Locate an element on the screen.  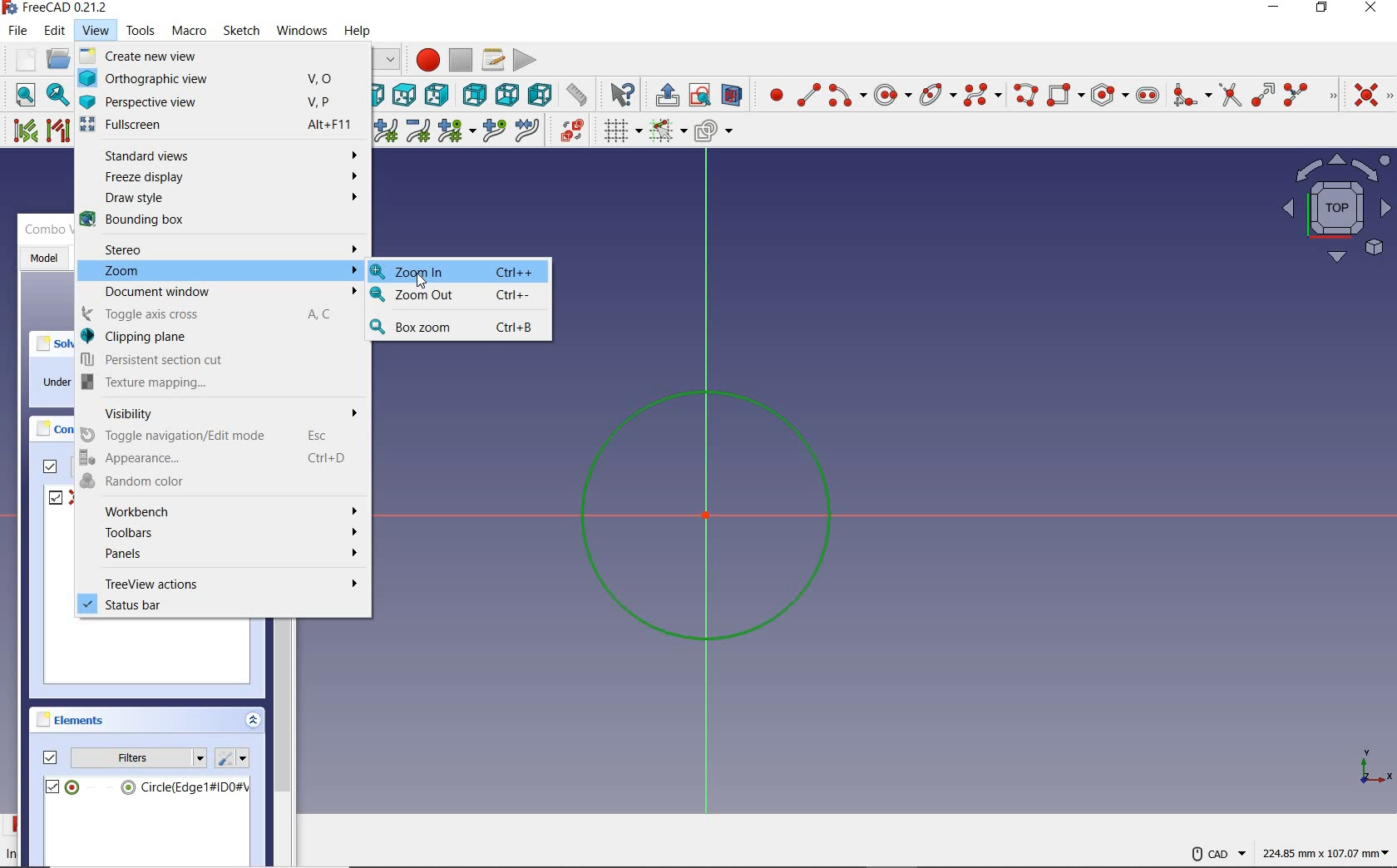
edit is located at coordinates (55, 31).